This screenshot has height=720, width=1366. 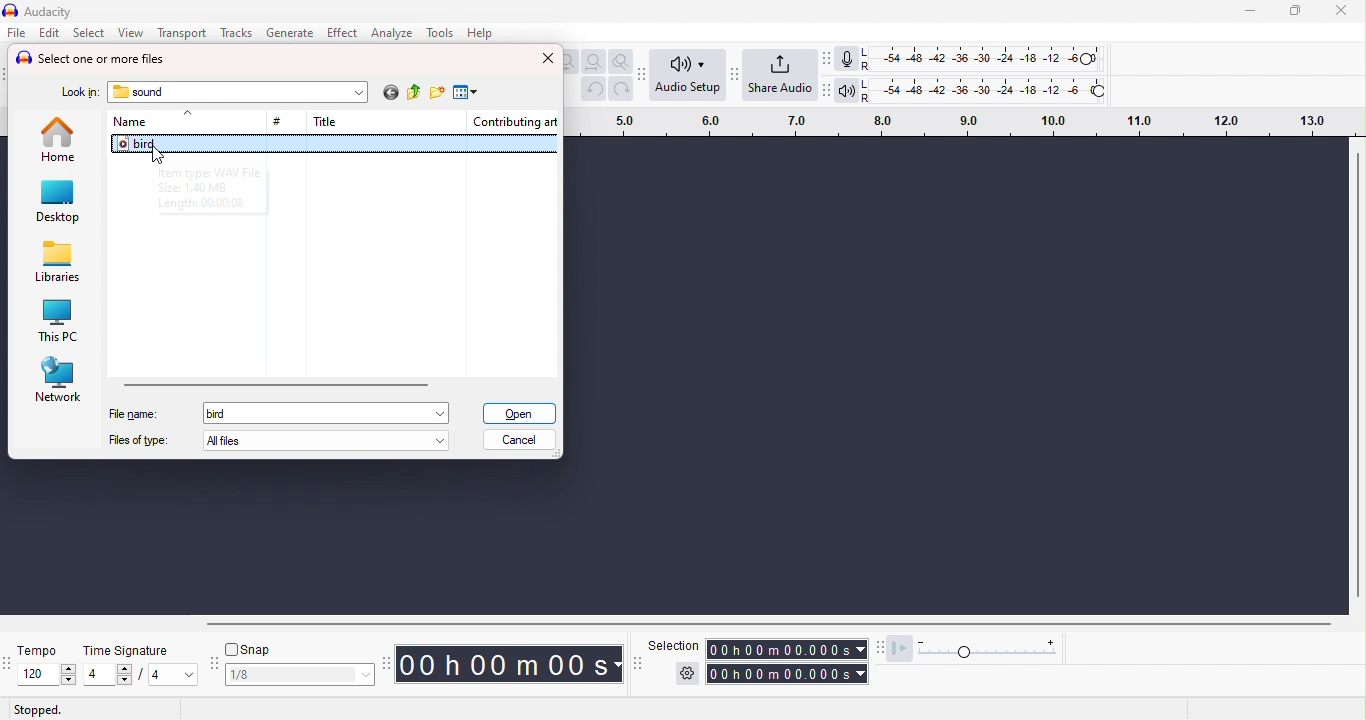 I want to click on Audio setup tool bar, so click(x=645, y=73).